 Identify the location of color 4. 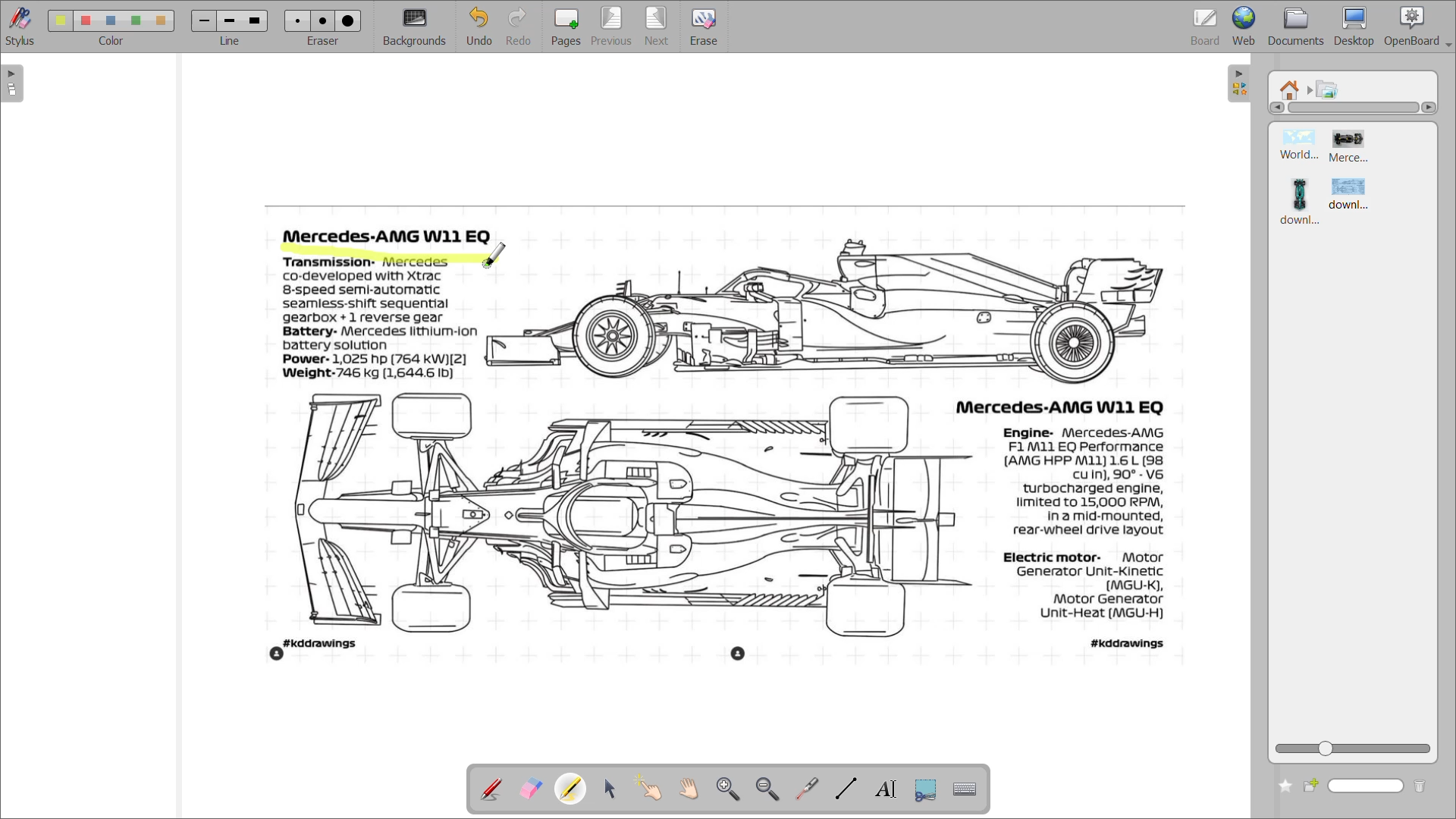
(136, 22).